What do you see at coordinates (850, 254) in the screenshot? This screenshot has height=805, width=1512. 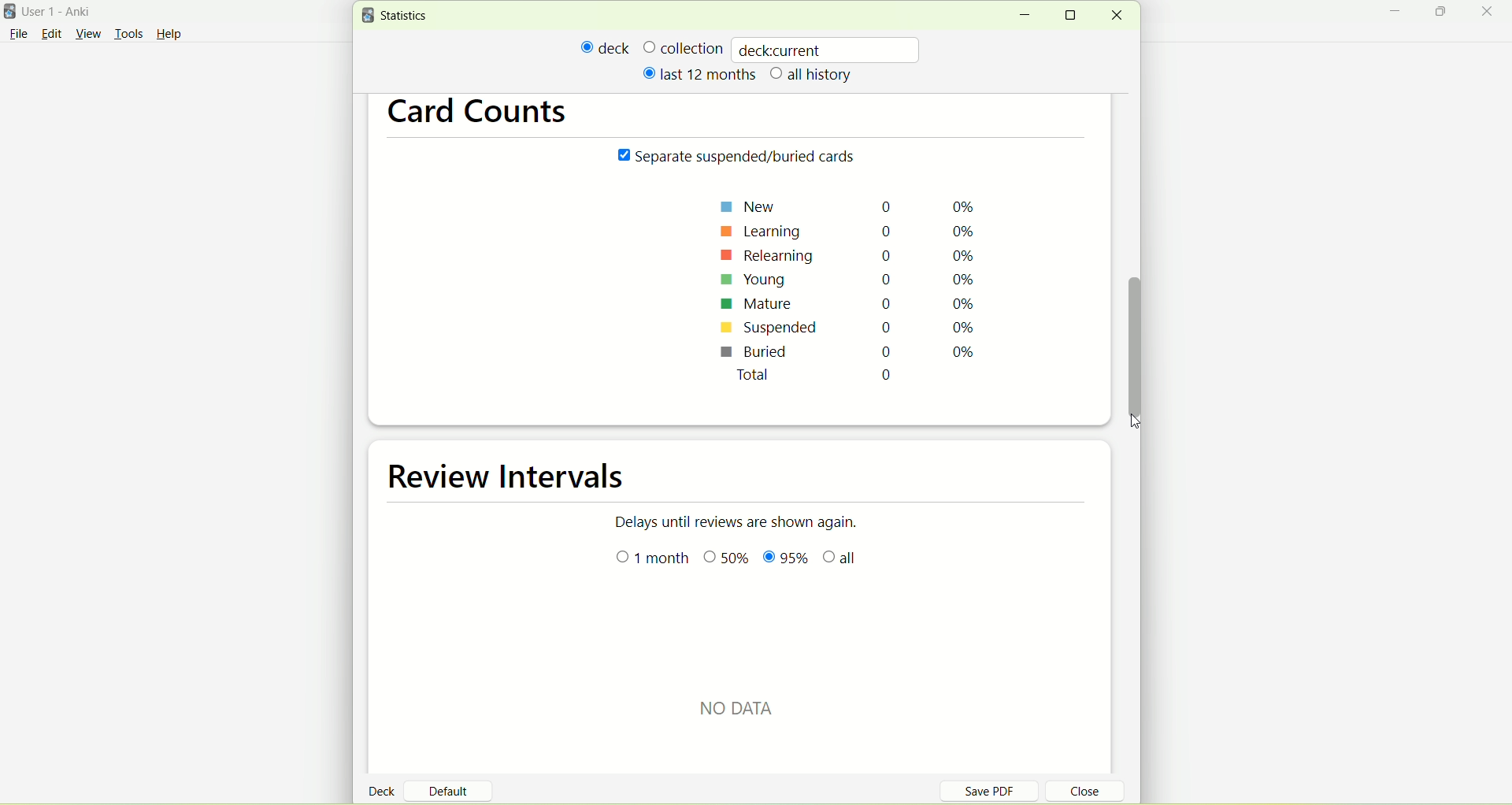 I see `relearning 0 0%` at bounding box center [850, 254].